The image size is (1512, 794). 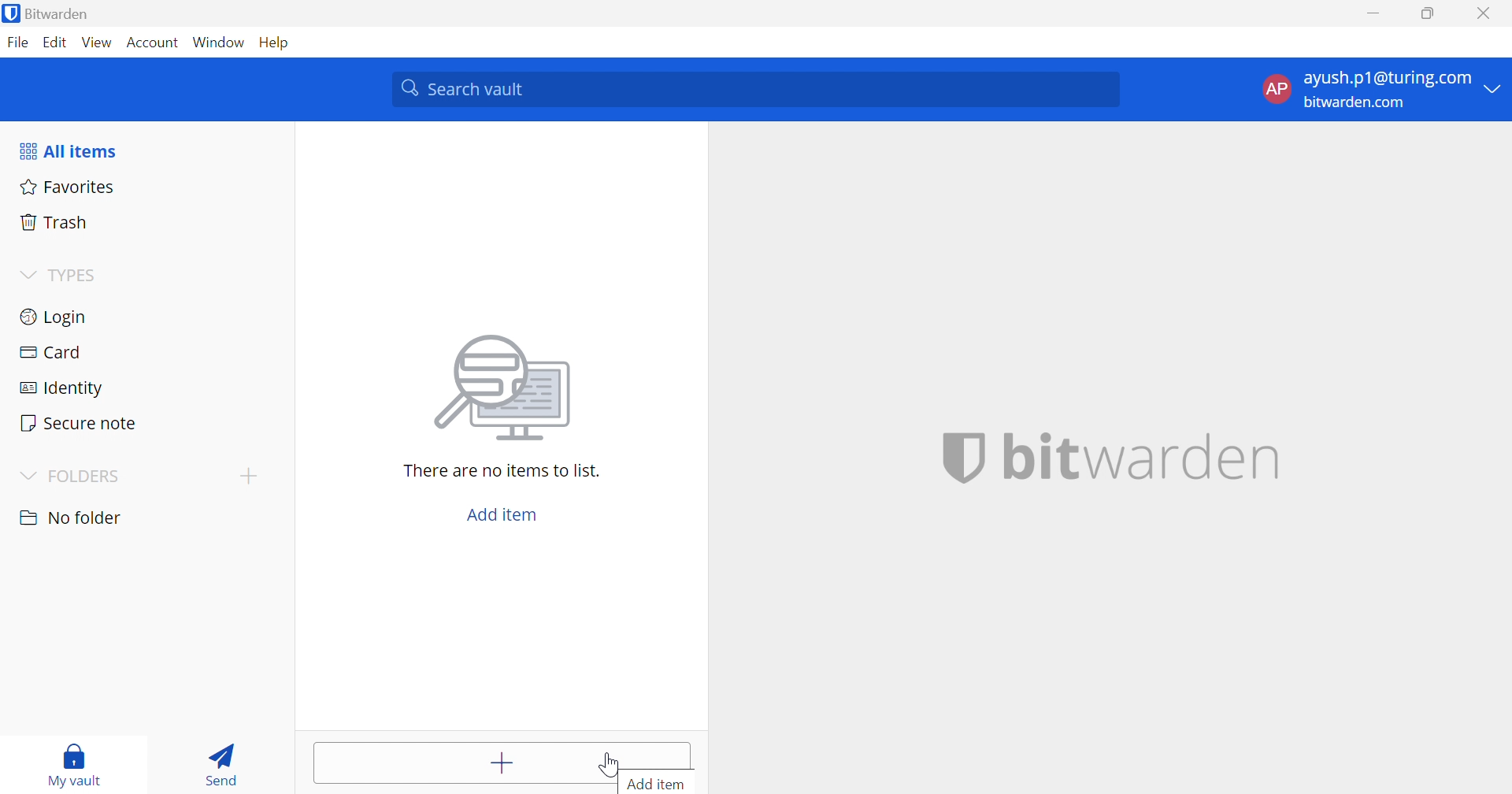 What do you see at coordinates (68, 188) in the screenshot?
I see `Favorites` at bounding box center [68, 188].